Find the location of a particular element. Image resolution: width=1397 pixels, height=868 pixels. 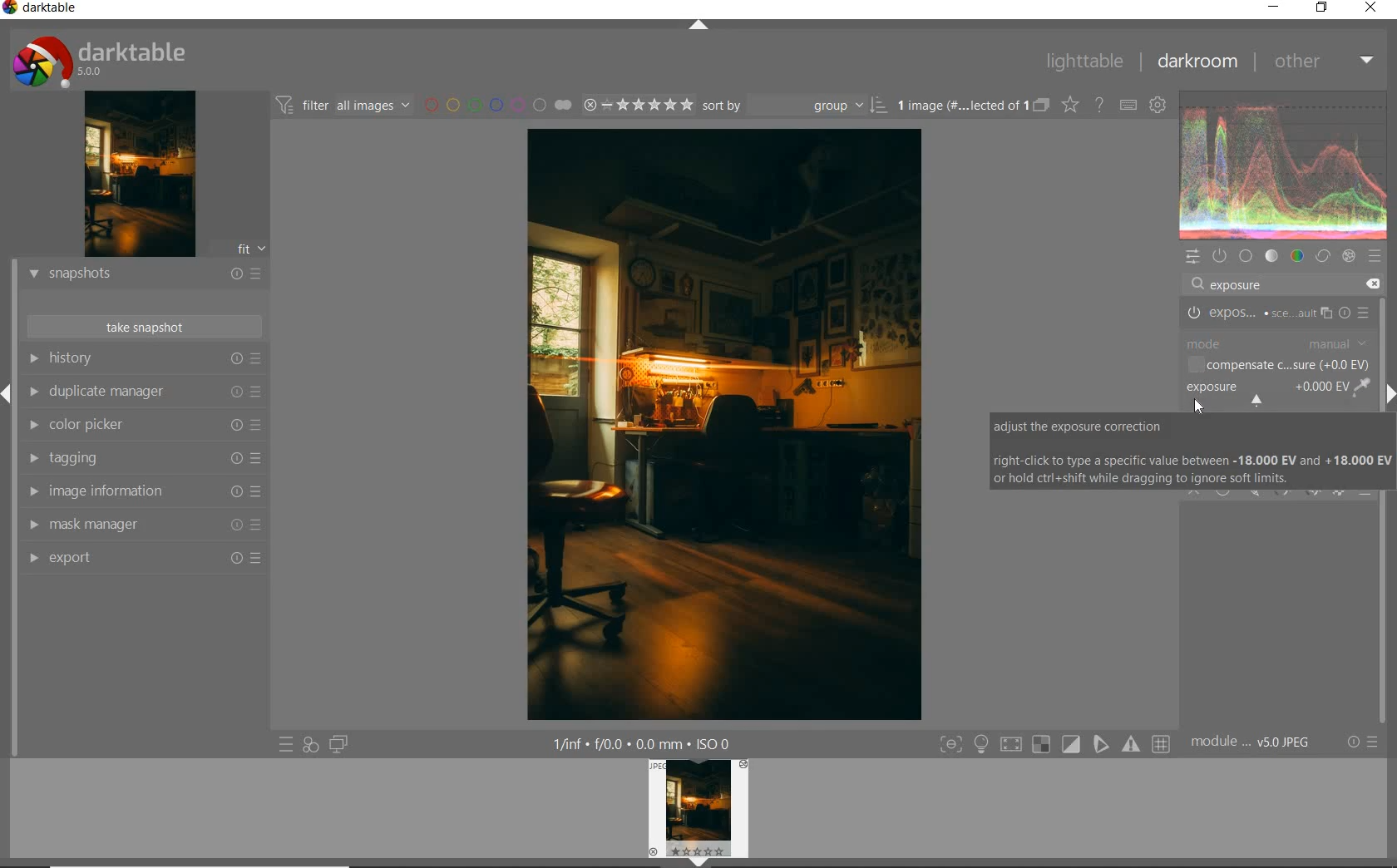

close is located at coordinates (1371, 7).